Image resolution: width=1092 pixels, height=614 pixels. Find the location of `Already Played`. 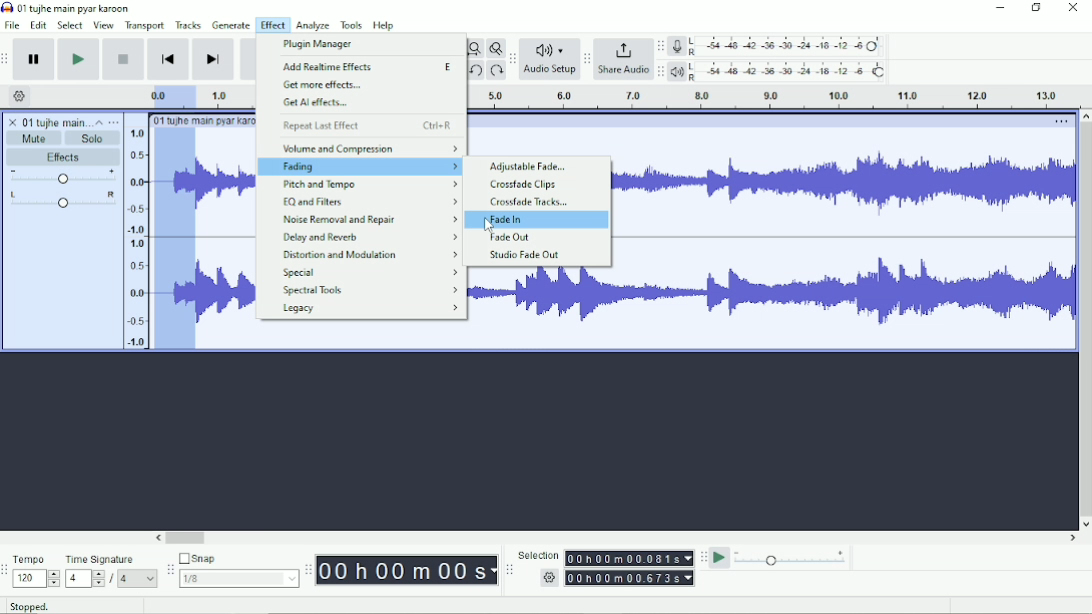

Already Played is located at coordinates (169, 96).